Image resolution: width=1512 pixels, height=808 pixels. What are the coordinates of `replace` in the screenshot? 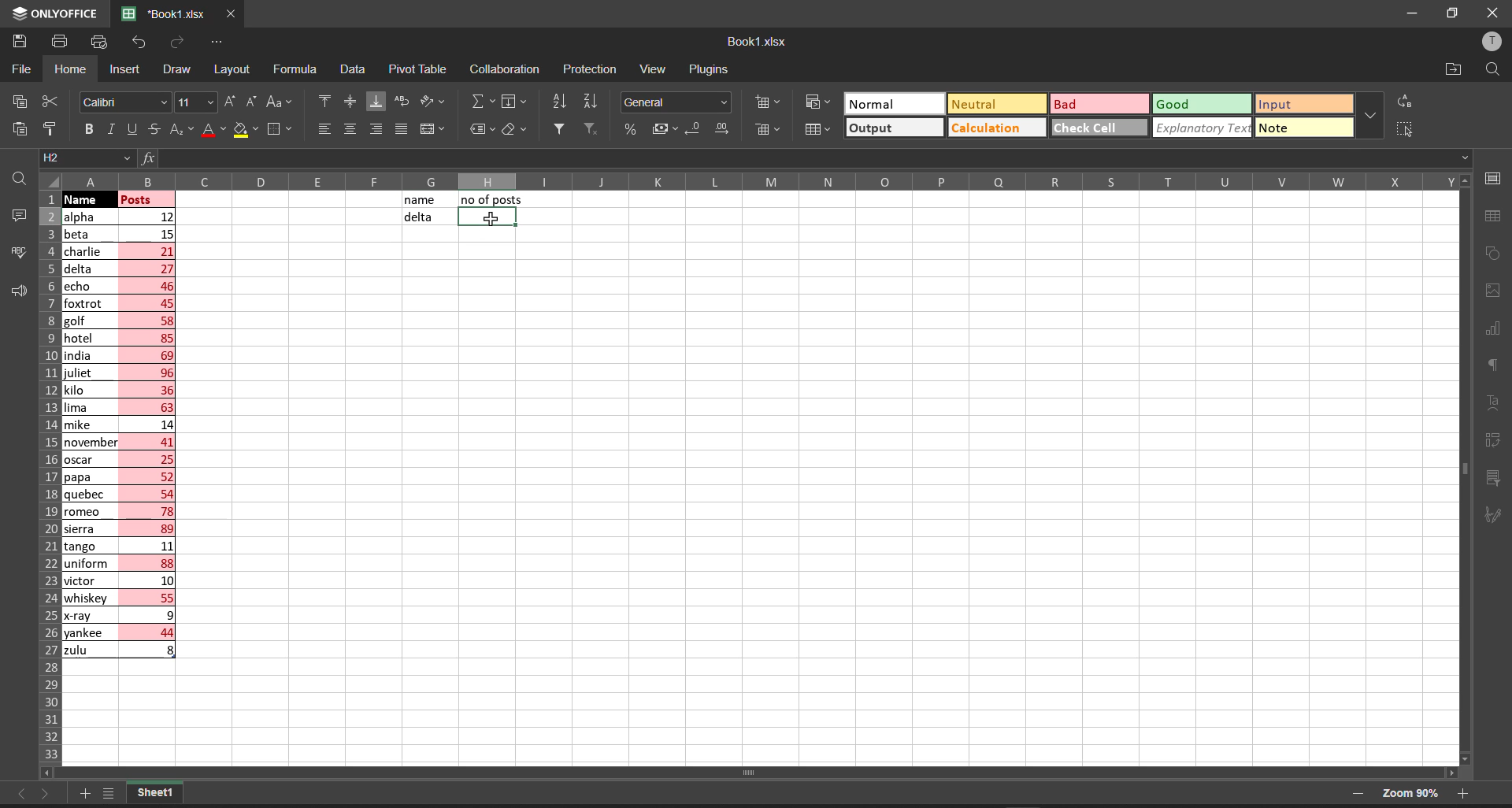 It's located at (1406, 101).